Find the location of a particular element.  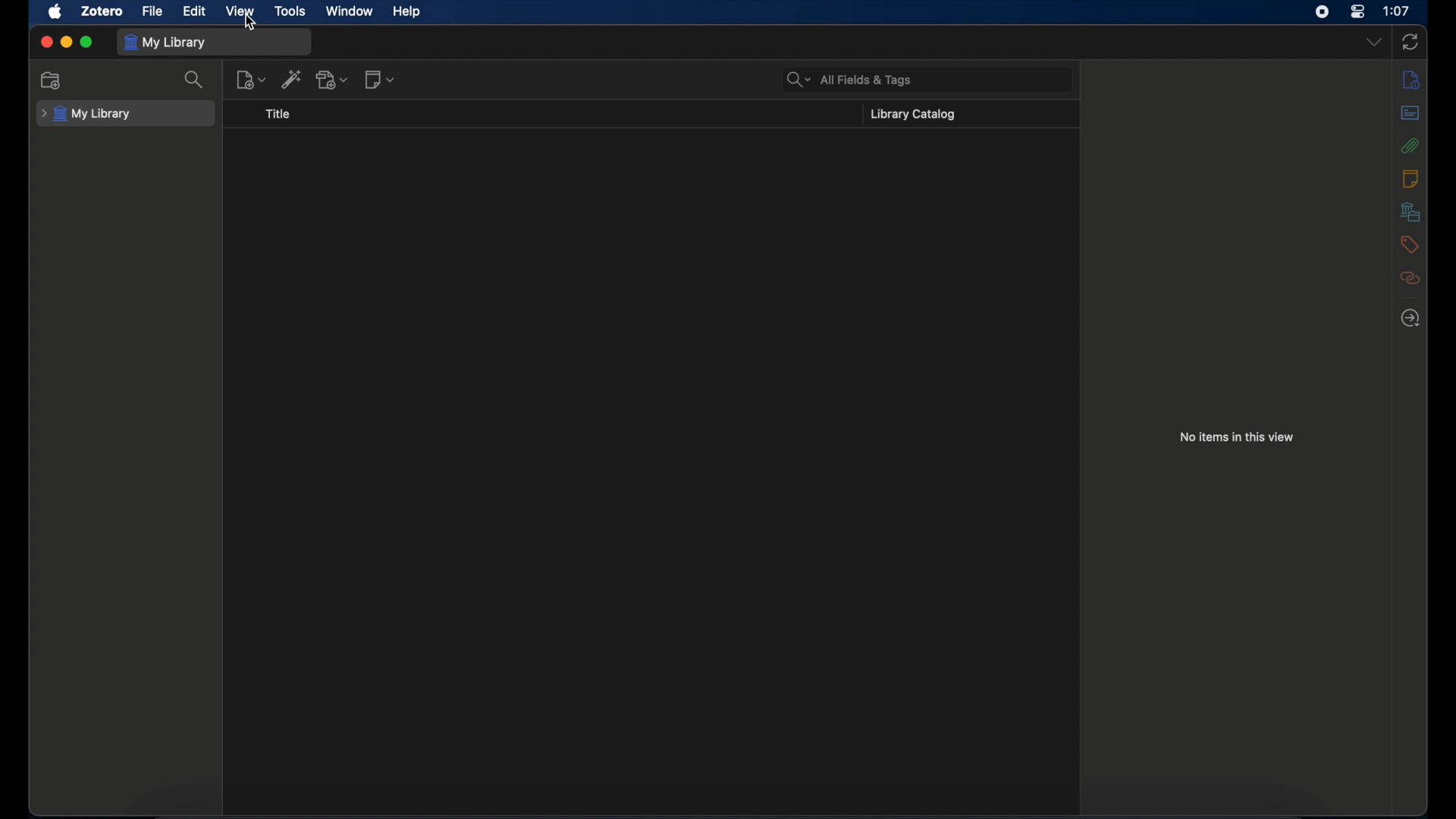

locate is located at coordinates (1411, 319).